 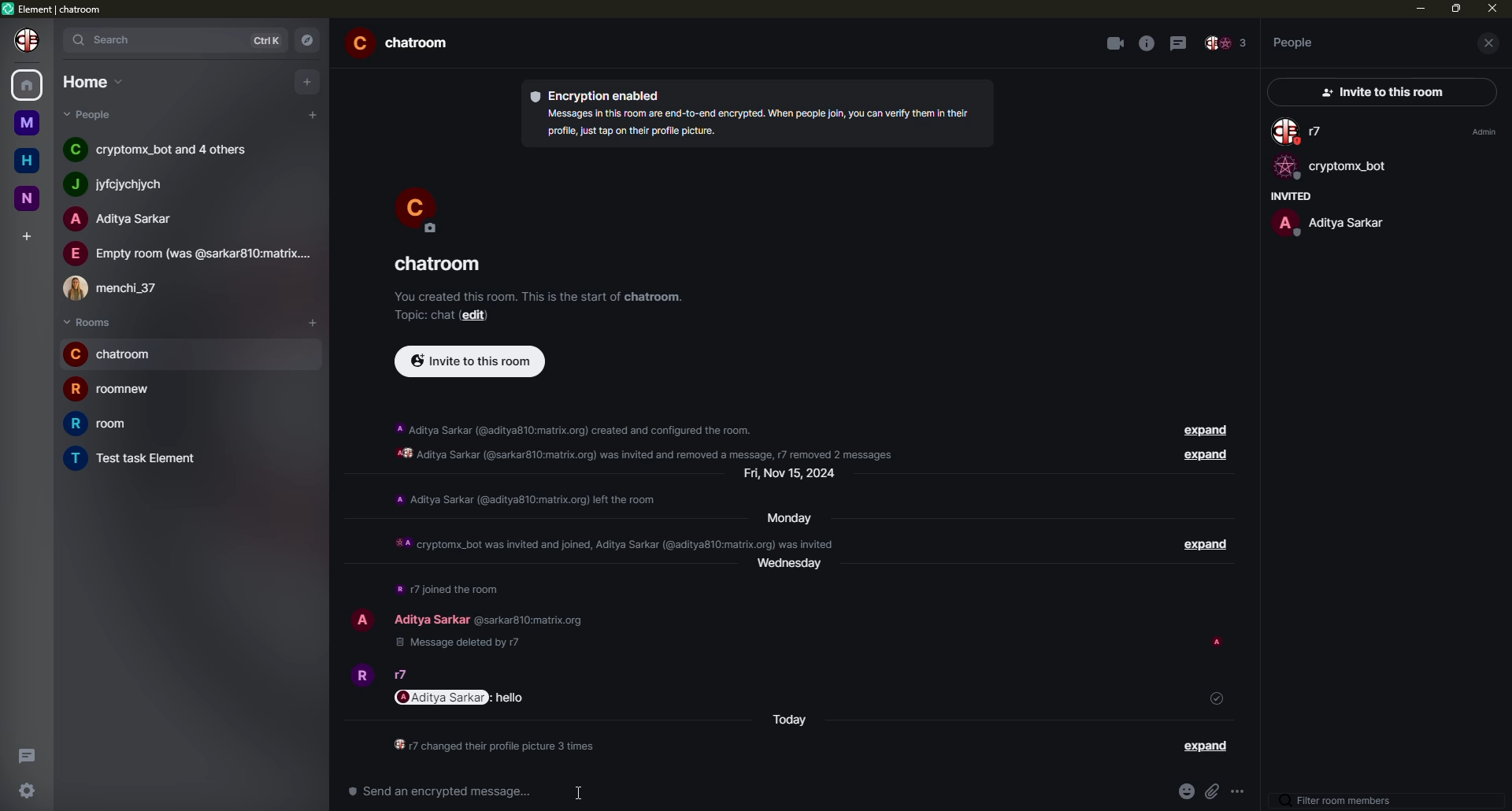 I want to click on message, so click(x=511, y=698).